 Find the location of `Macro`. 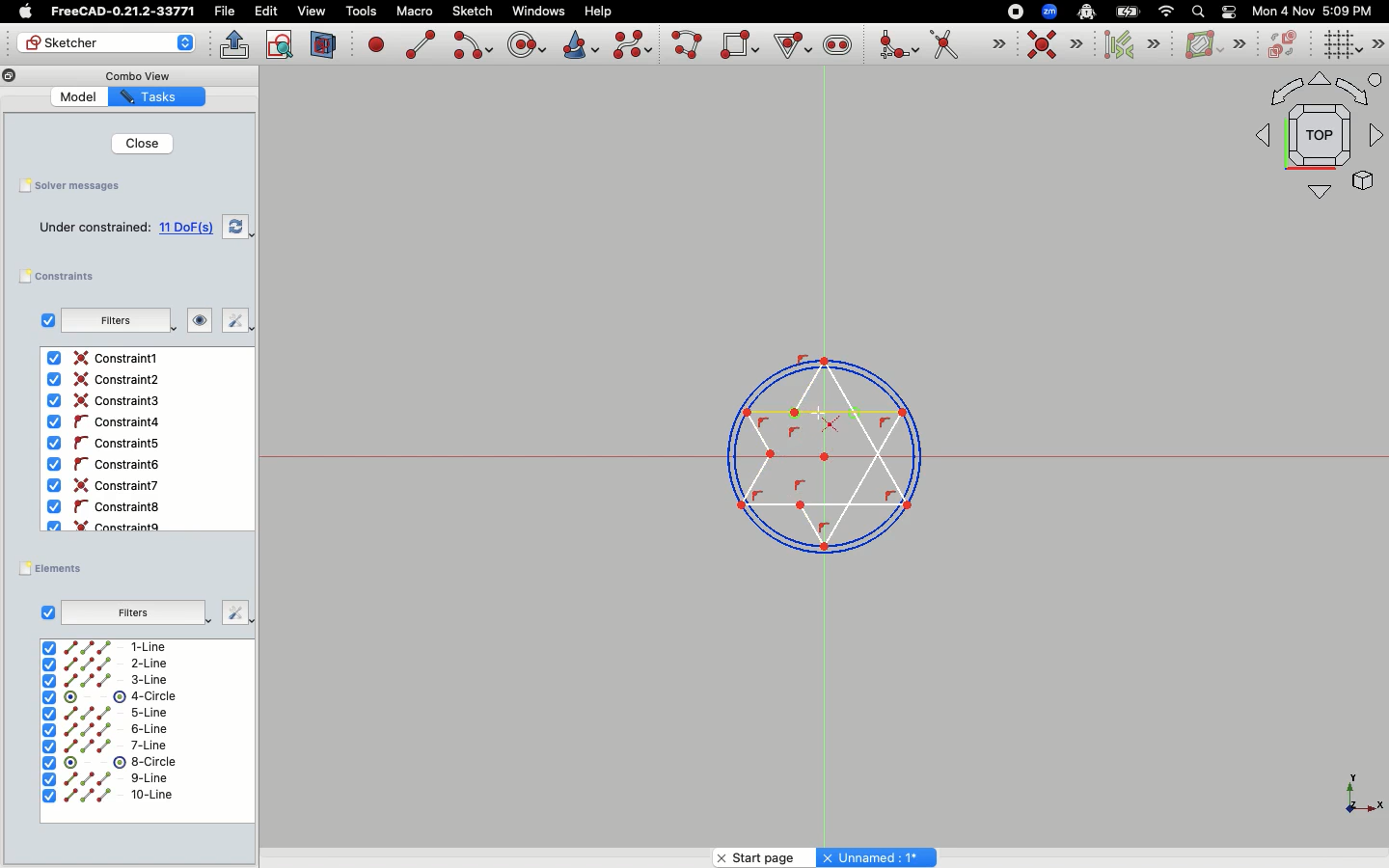

Macro is located at coordinates (413, 12).